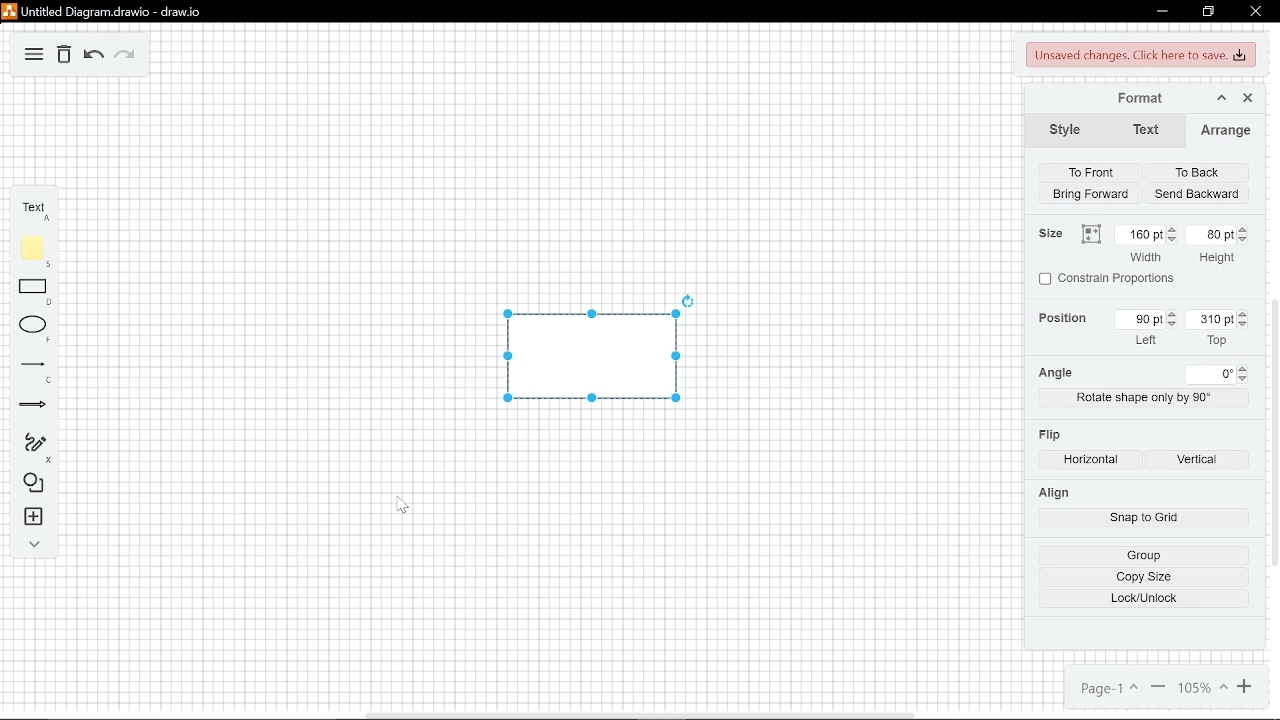 This screenshot has width=1280, height=720. What do you see at coordinates (1140, 321) in the screenshot?
I see `current left position` at bounding box center [1140, 321].